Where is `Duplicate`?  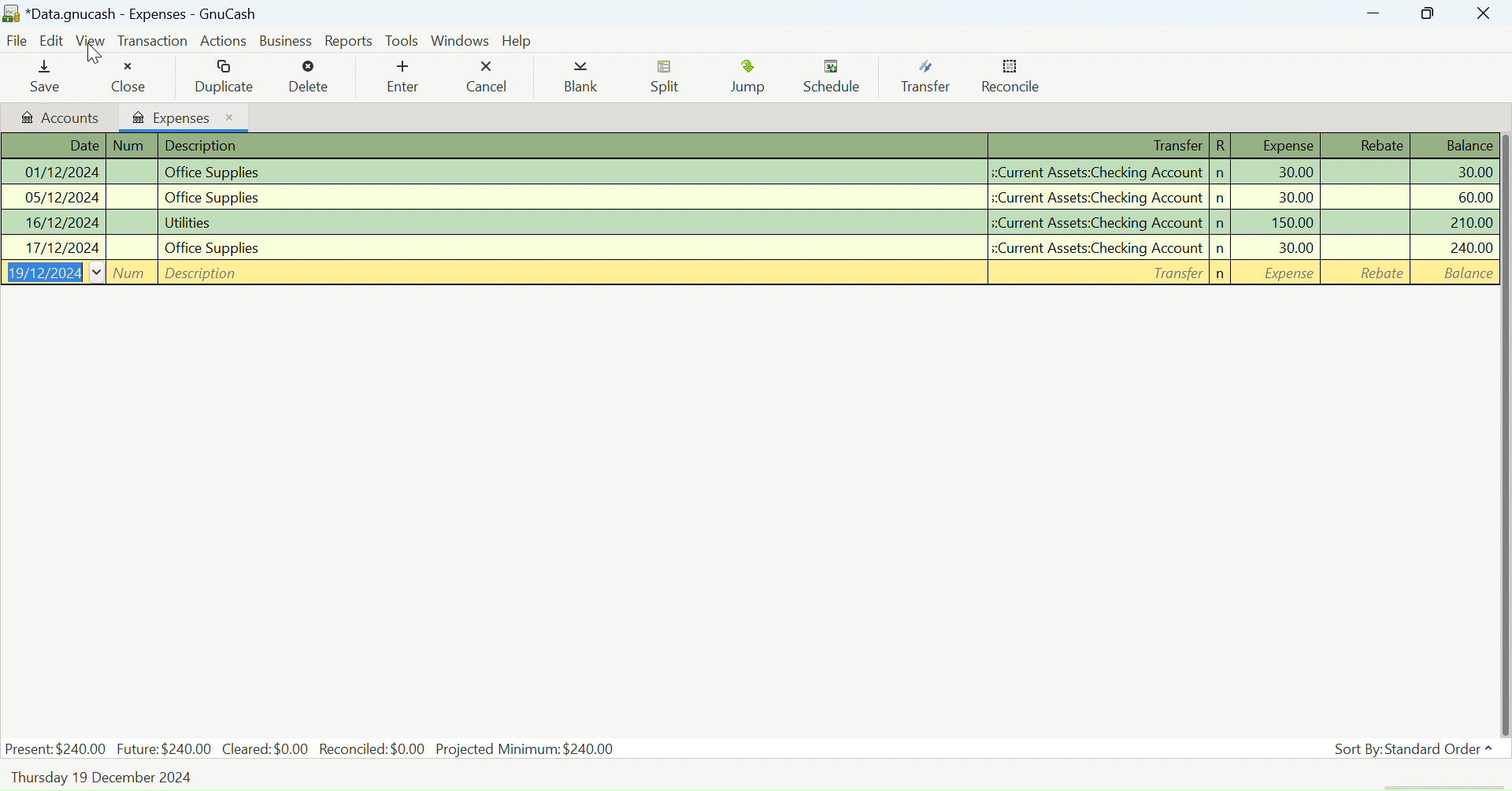 Duplicate is located at coordinates (228, 76).